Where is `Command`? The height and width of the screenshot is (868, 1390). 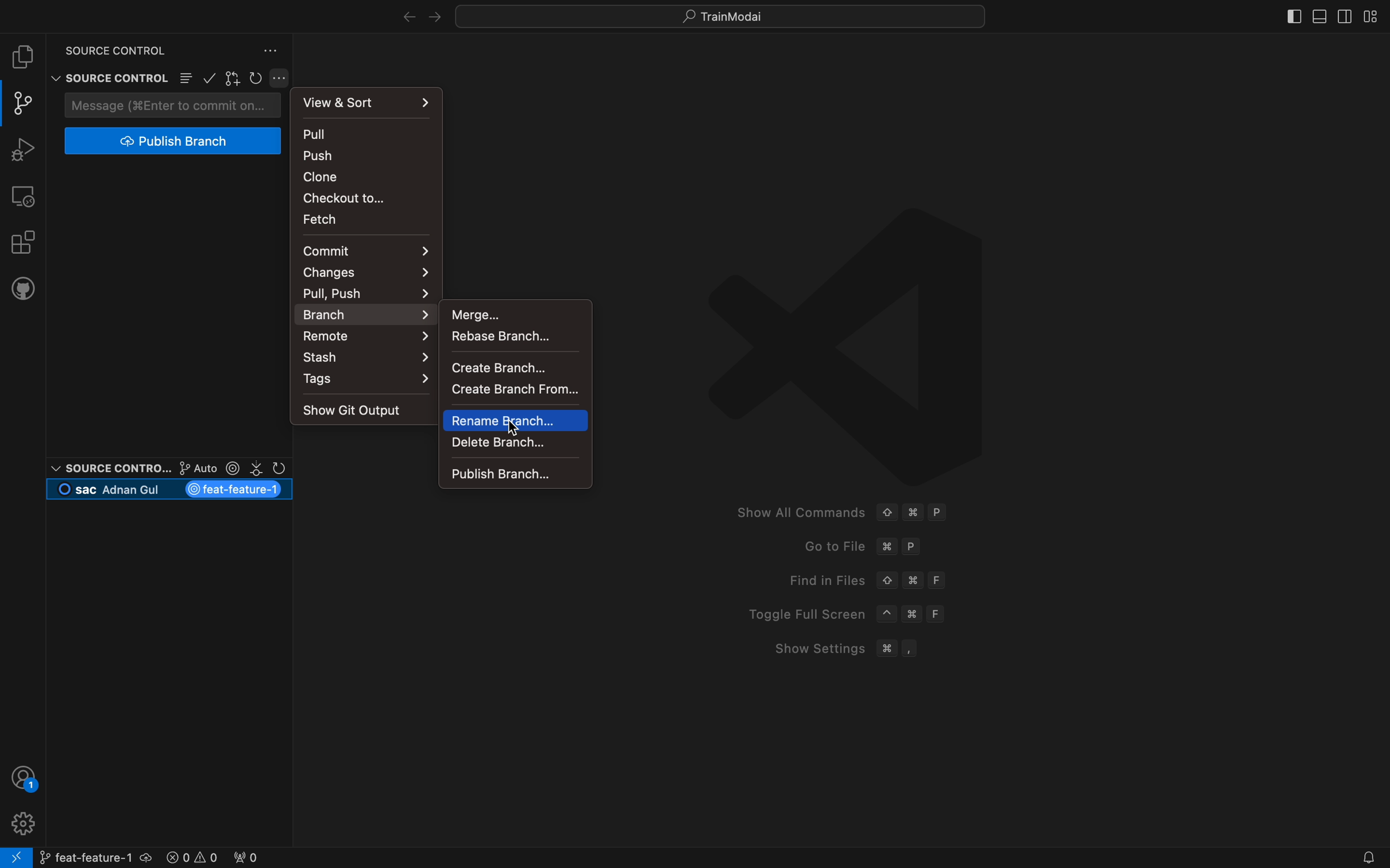 Command is located at coordinates (916, 616).